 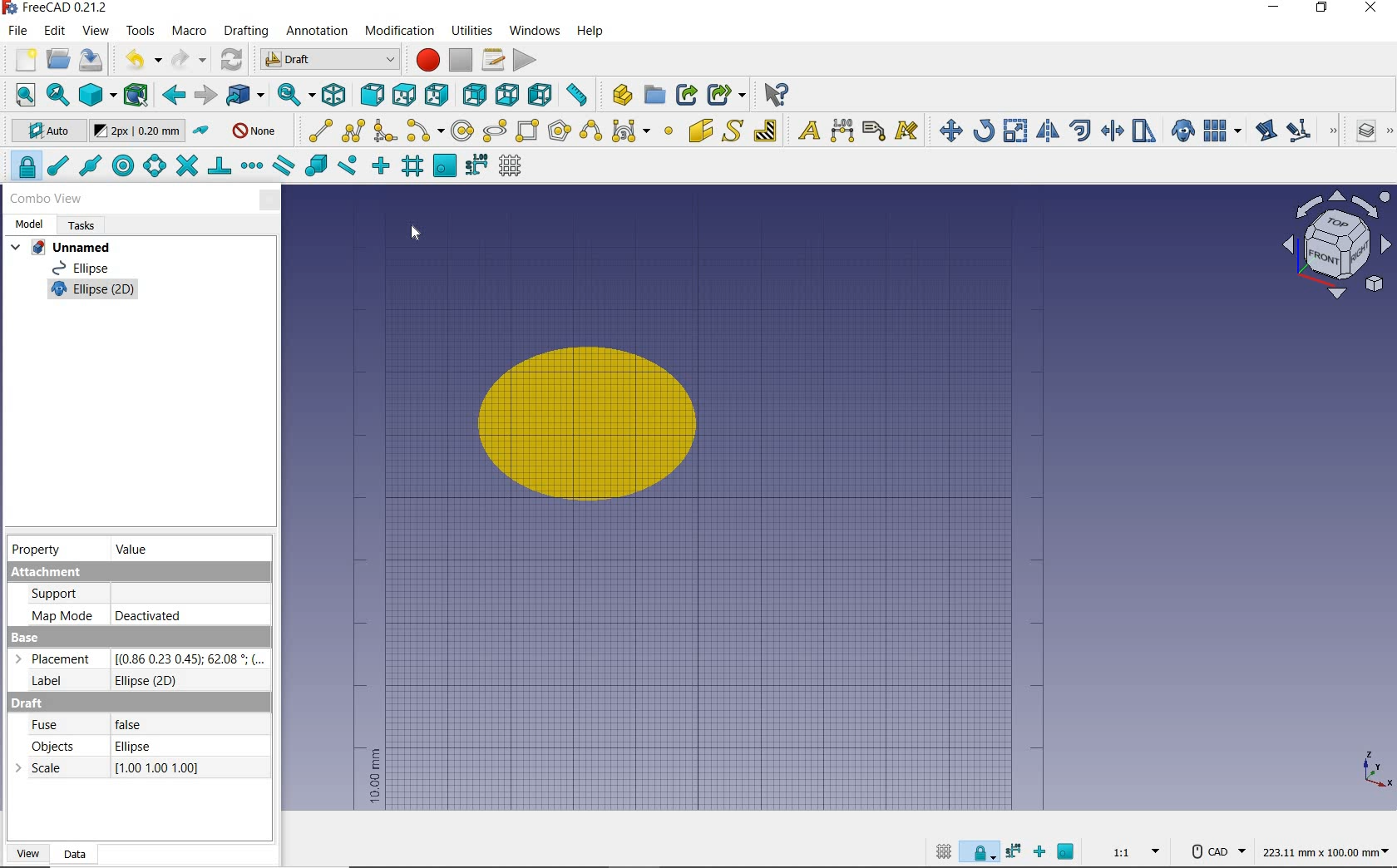 I want to click on orthographic view, so click(x=97, y=96).